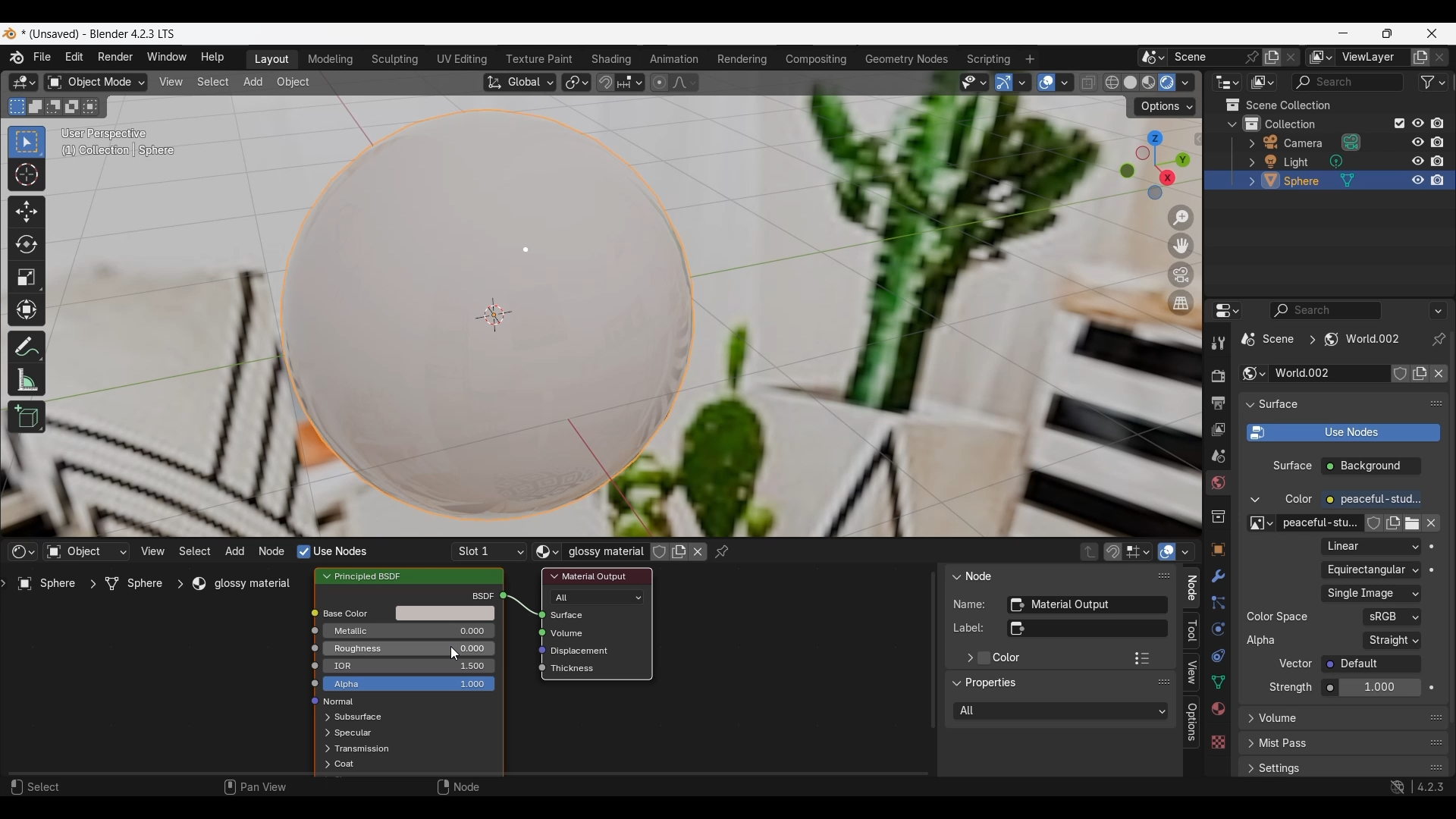 Image resolution: width=1456 pixels, height=819 pixels. What do you see at coordinates (27, 243) in the screenshot?
I see `Rotate` at bounding box center [27, 243].